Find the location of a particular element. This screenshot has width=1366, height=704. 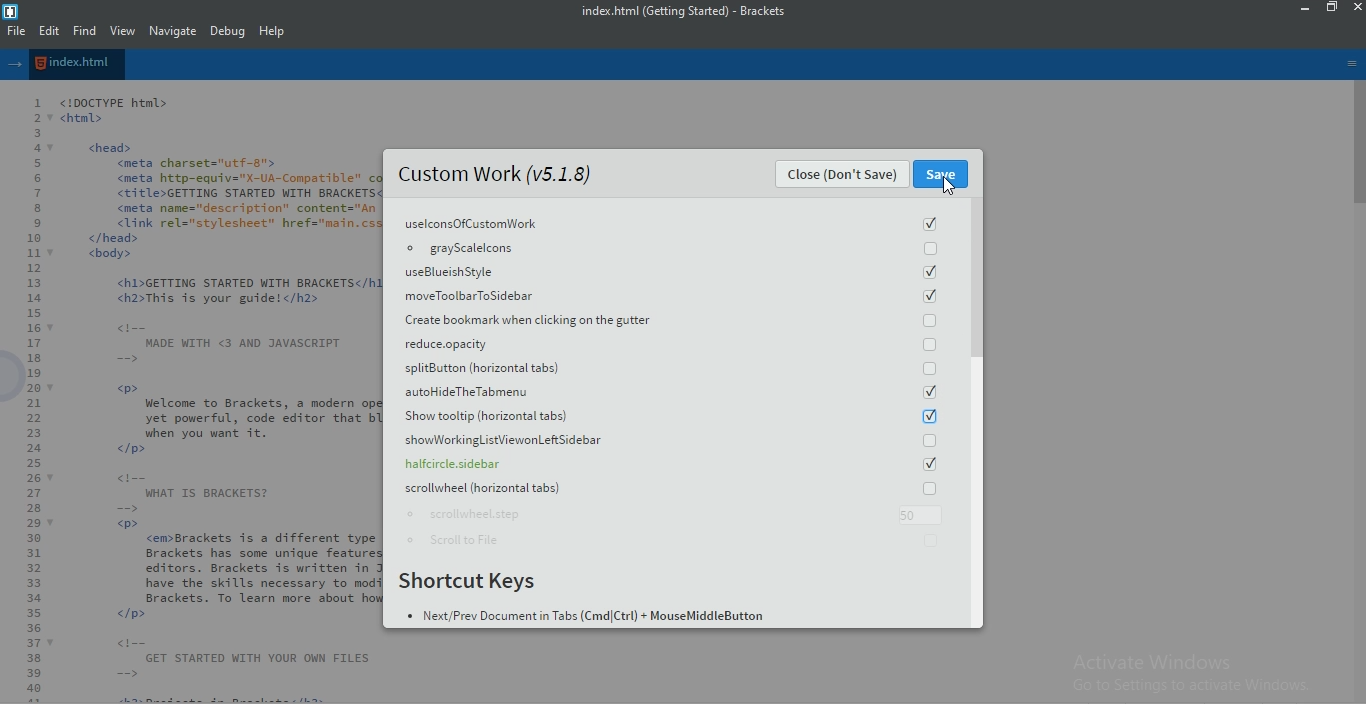

Shortcut Keys is located at coordinates (469, 582).